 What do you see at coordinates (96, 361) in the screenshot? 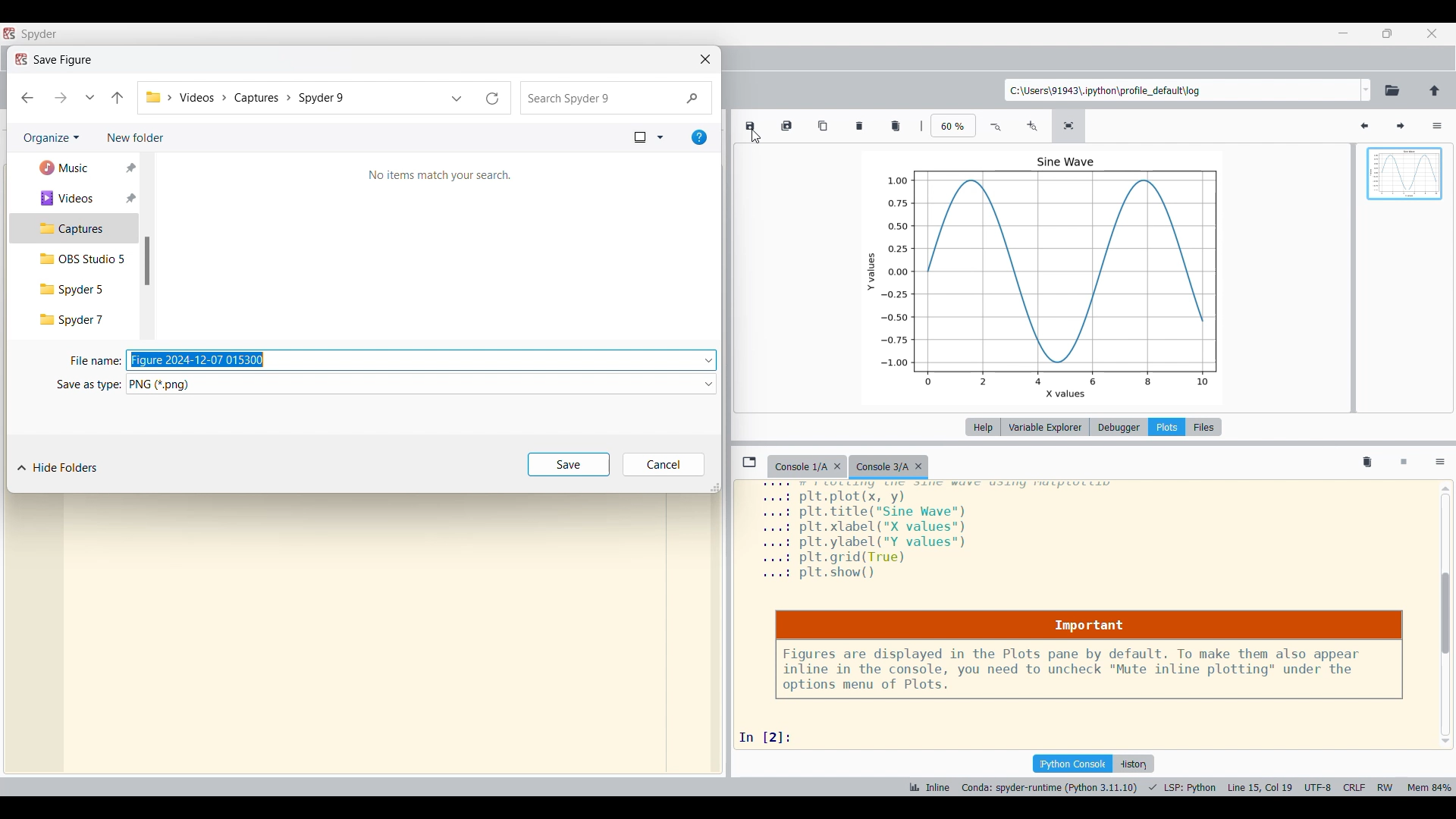
I see `Indicates file name` at bounding box center [96, 361].